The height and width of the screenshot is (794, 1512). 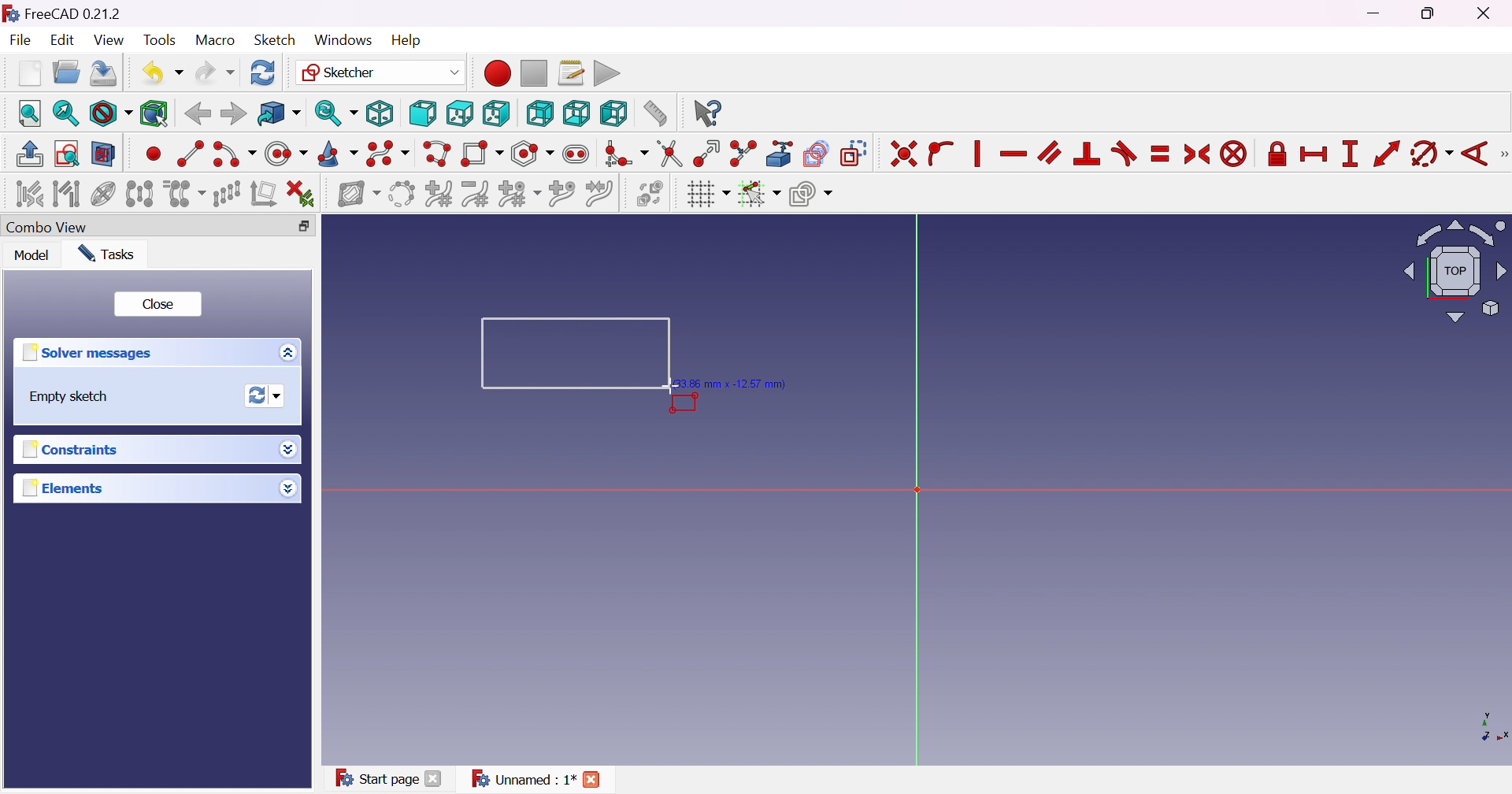 What do you see at coordinates (1379, 13) in the screenshot?
I see `Minimize` at bounding box center [1379, 13].